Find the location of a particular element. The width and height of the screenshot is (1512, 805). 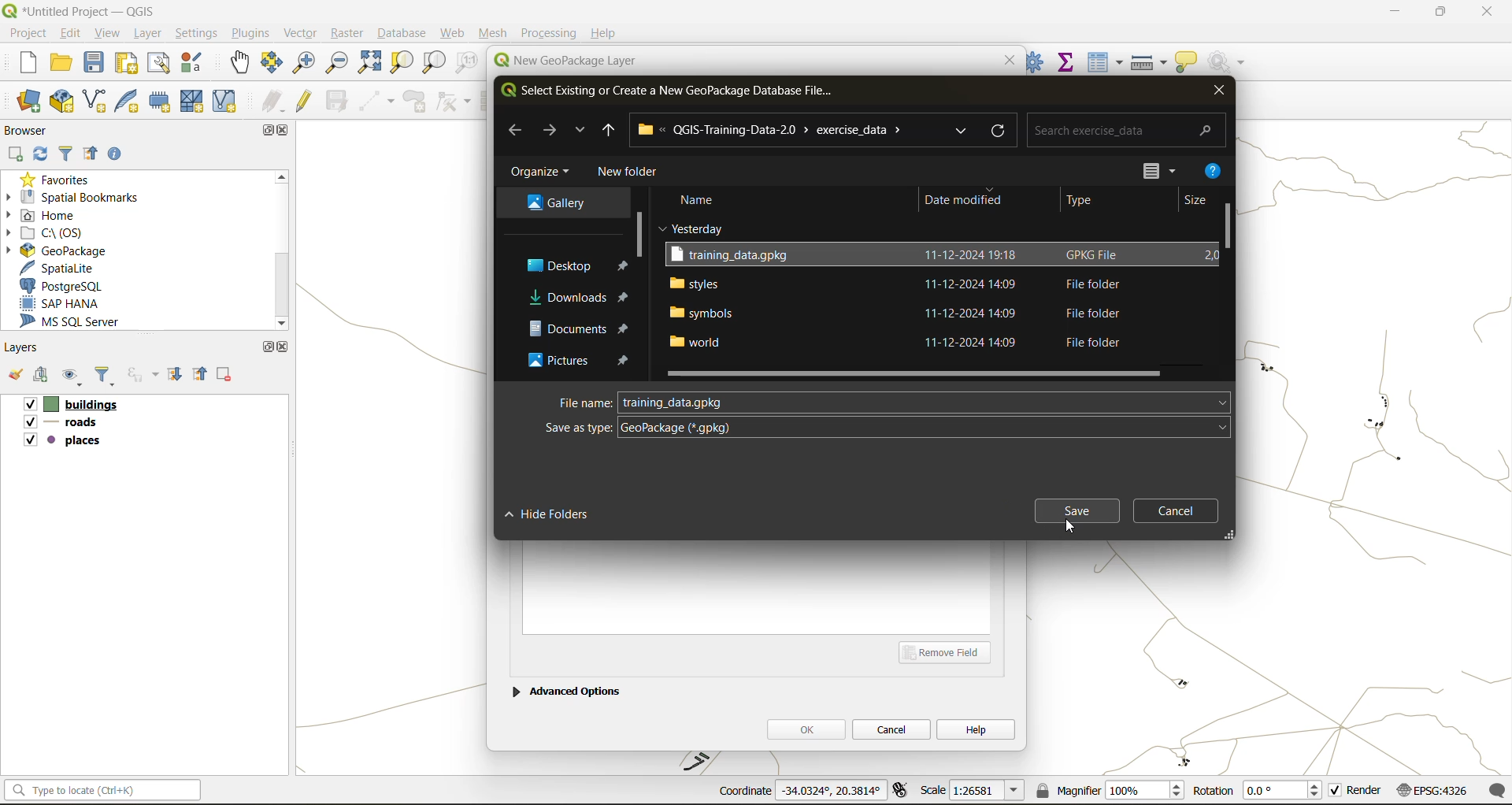

collapse all is located at coordinates (202, 373).